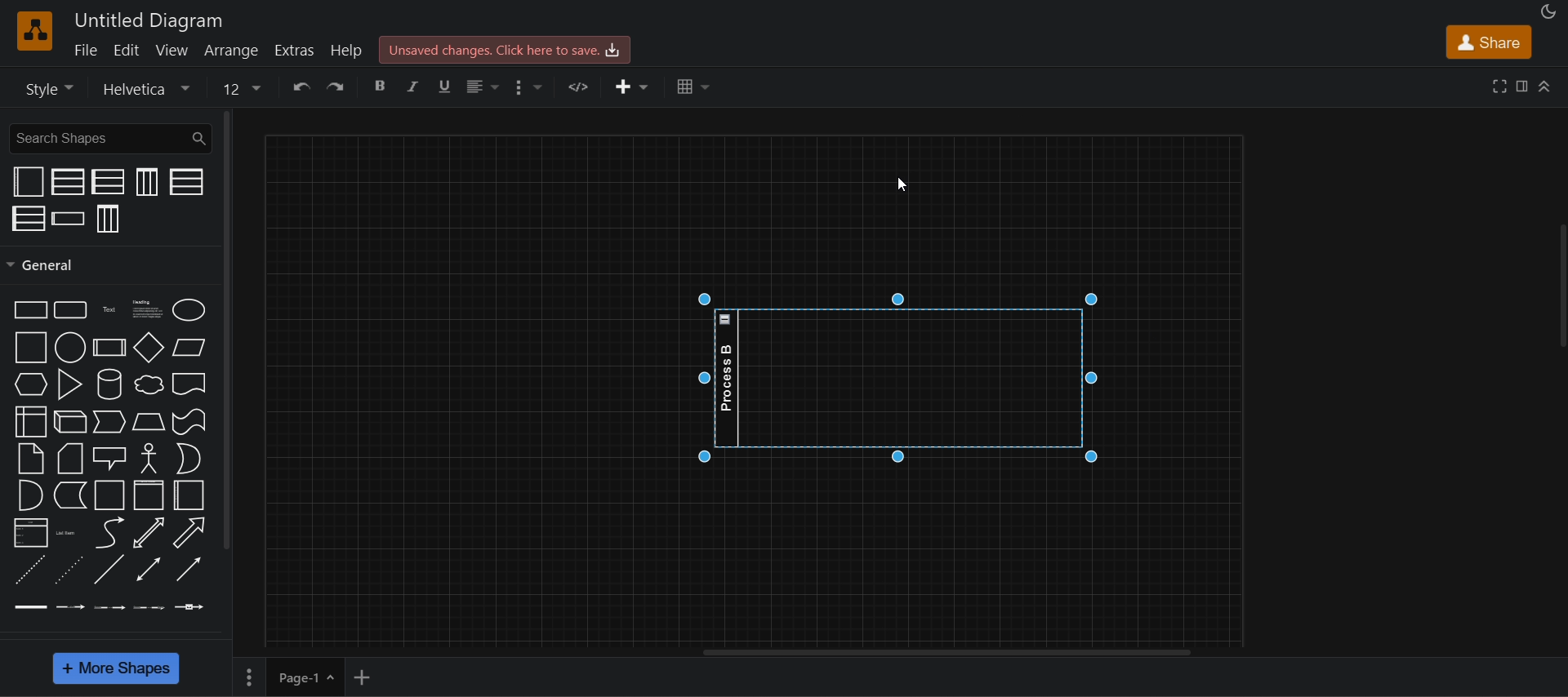 The image size is (1568, 697). What do you see at coordinates (414, 84) in the screenshot?
I see `italic` at bounding box center [414, 84].